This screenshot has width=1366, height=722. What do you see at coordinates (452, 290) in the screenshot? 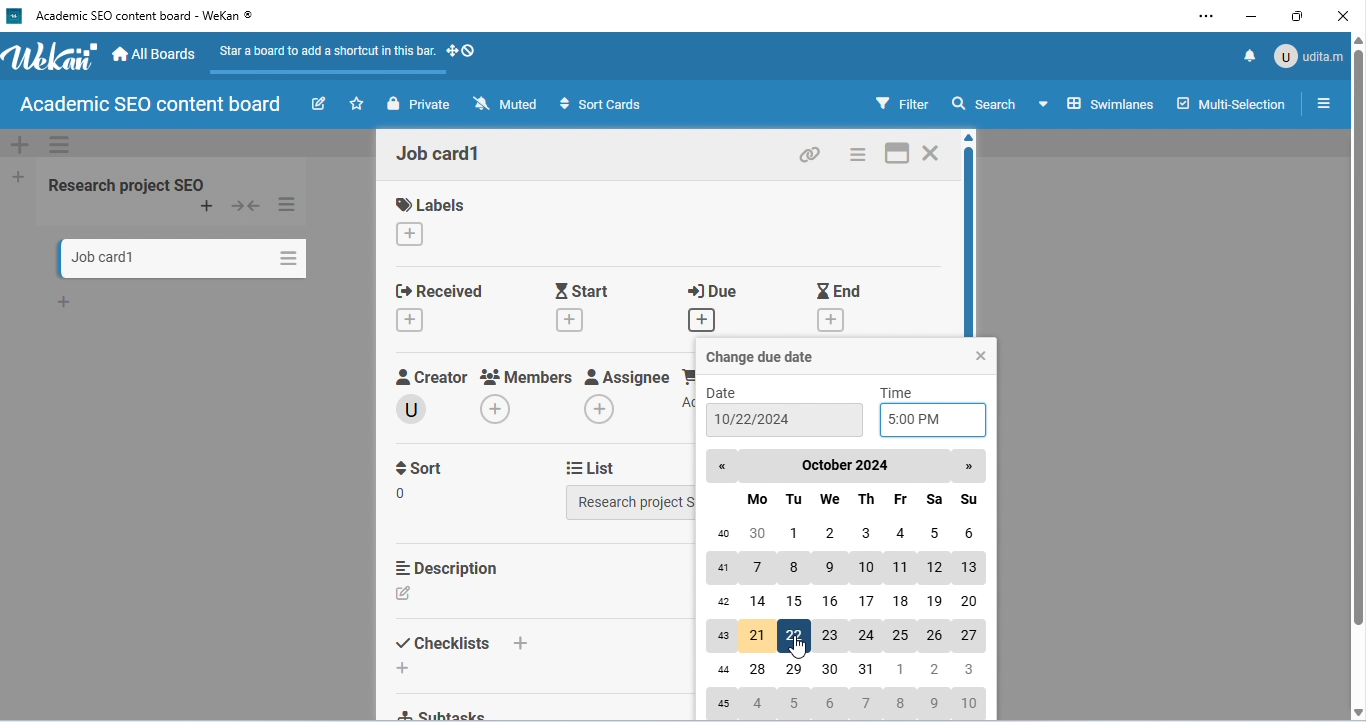
I see `received` at bounding box center [452, 290].